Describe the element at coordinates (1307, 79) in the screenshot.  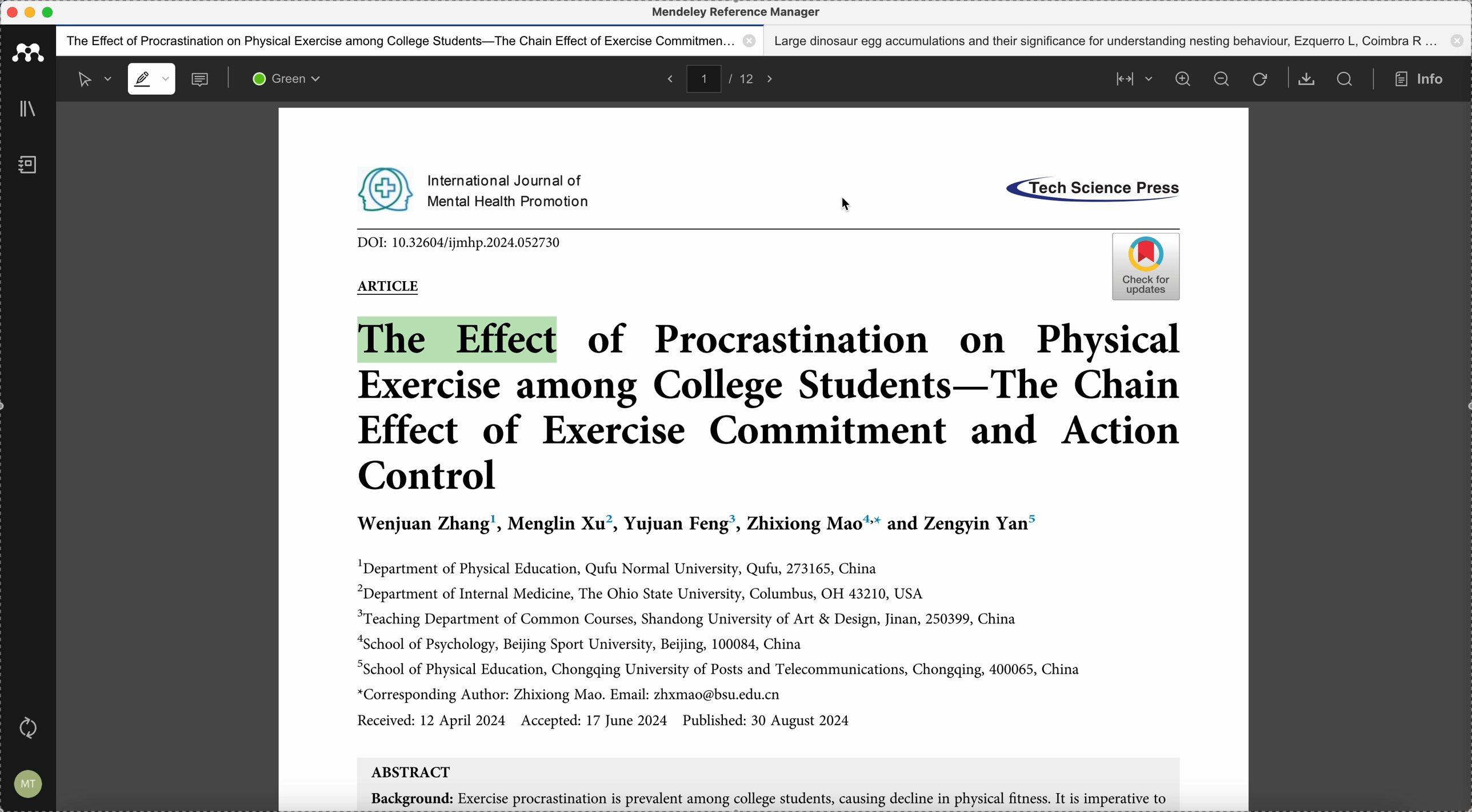
I see `download document` at that location.